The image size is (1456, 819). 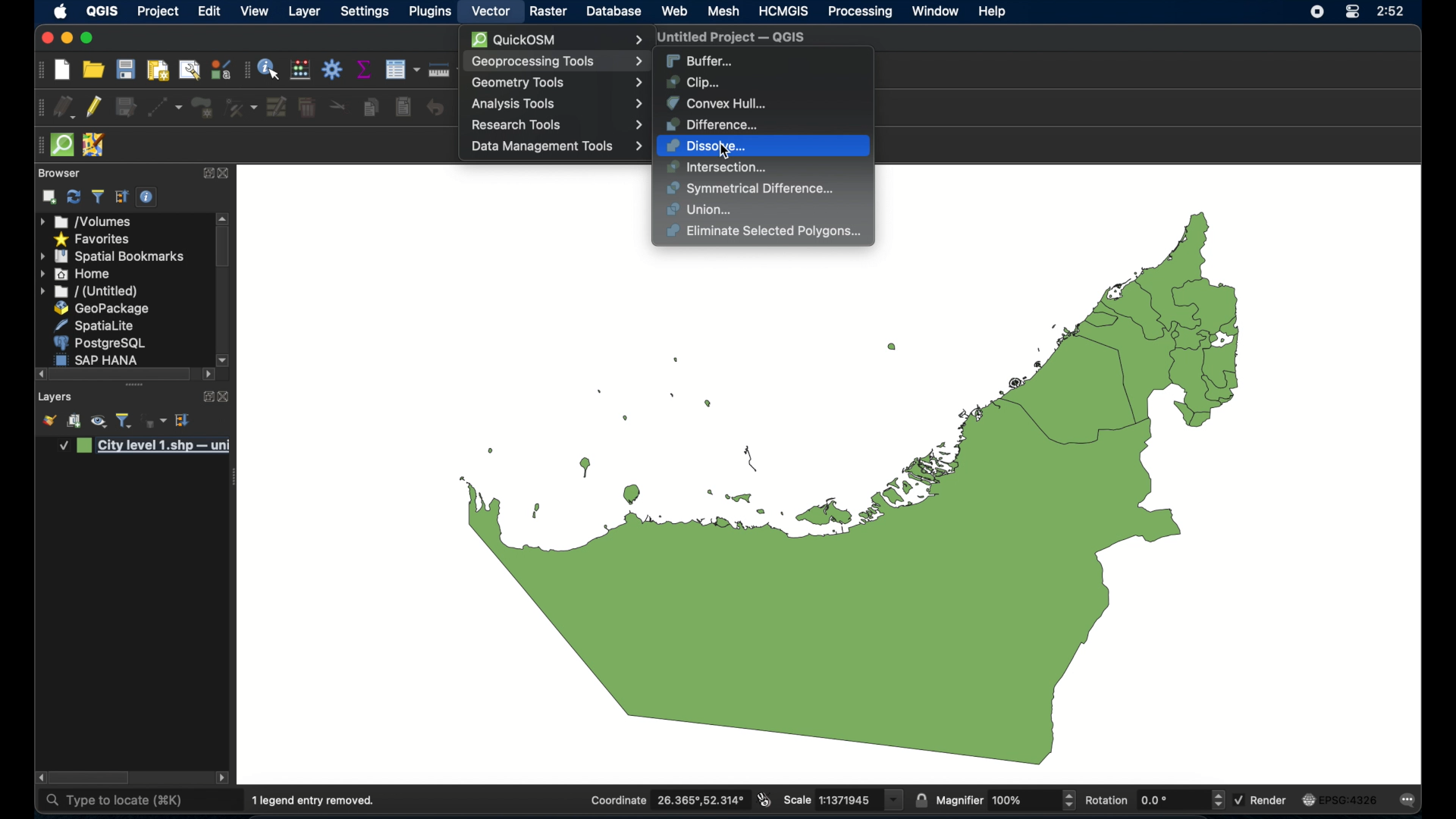 I want to click on layer 1, so click(x=146, y=447).